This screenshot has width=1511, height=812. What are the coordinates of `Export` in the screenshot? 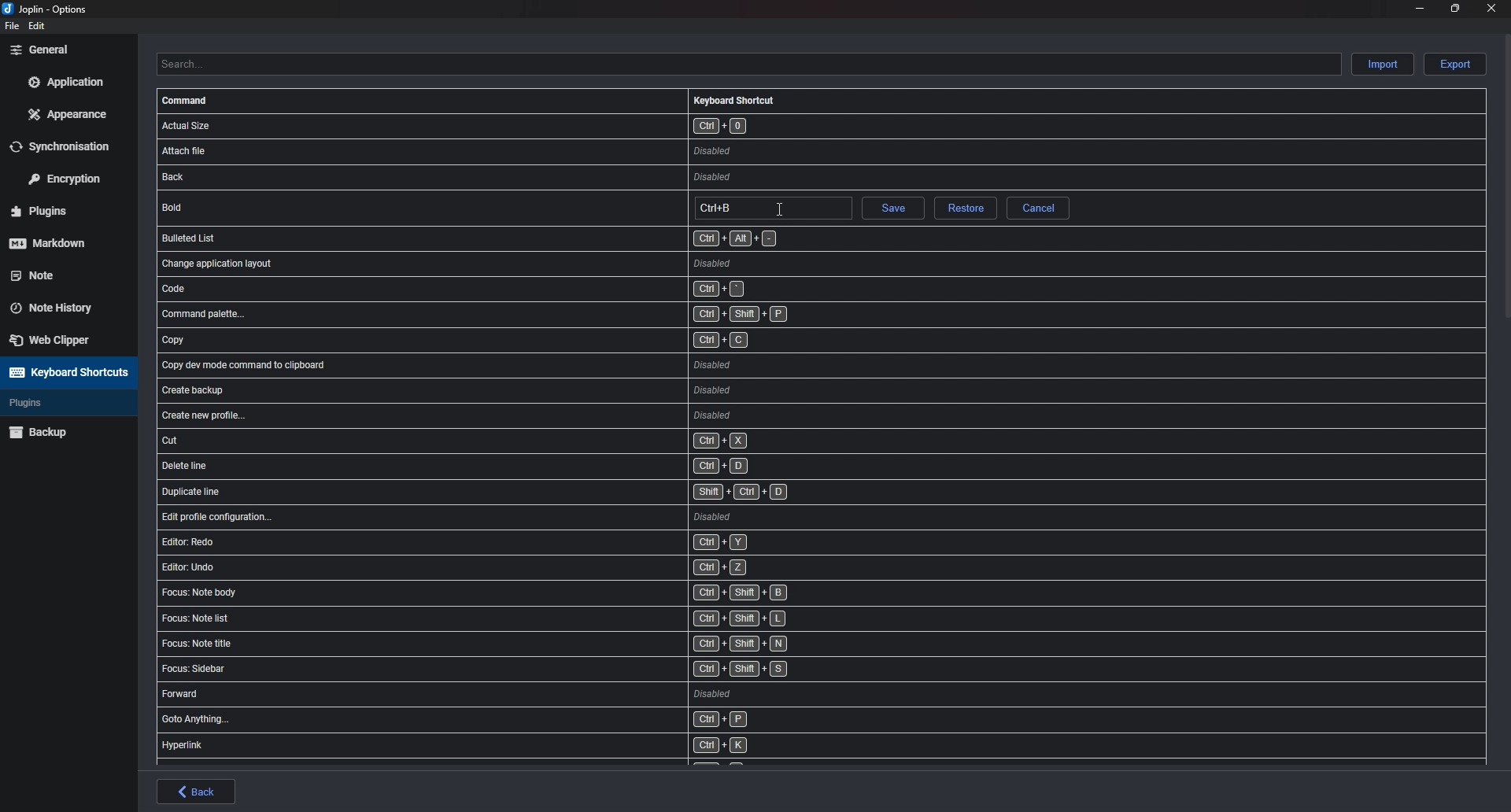 It's located at (1455, 65).